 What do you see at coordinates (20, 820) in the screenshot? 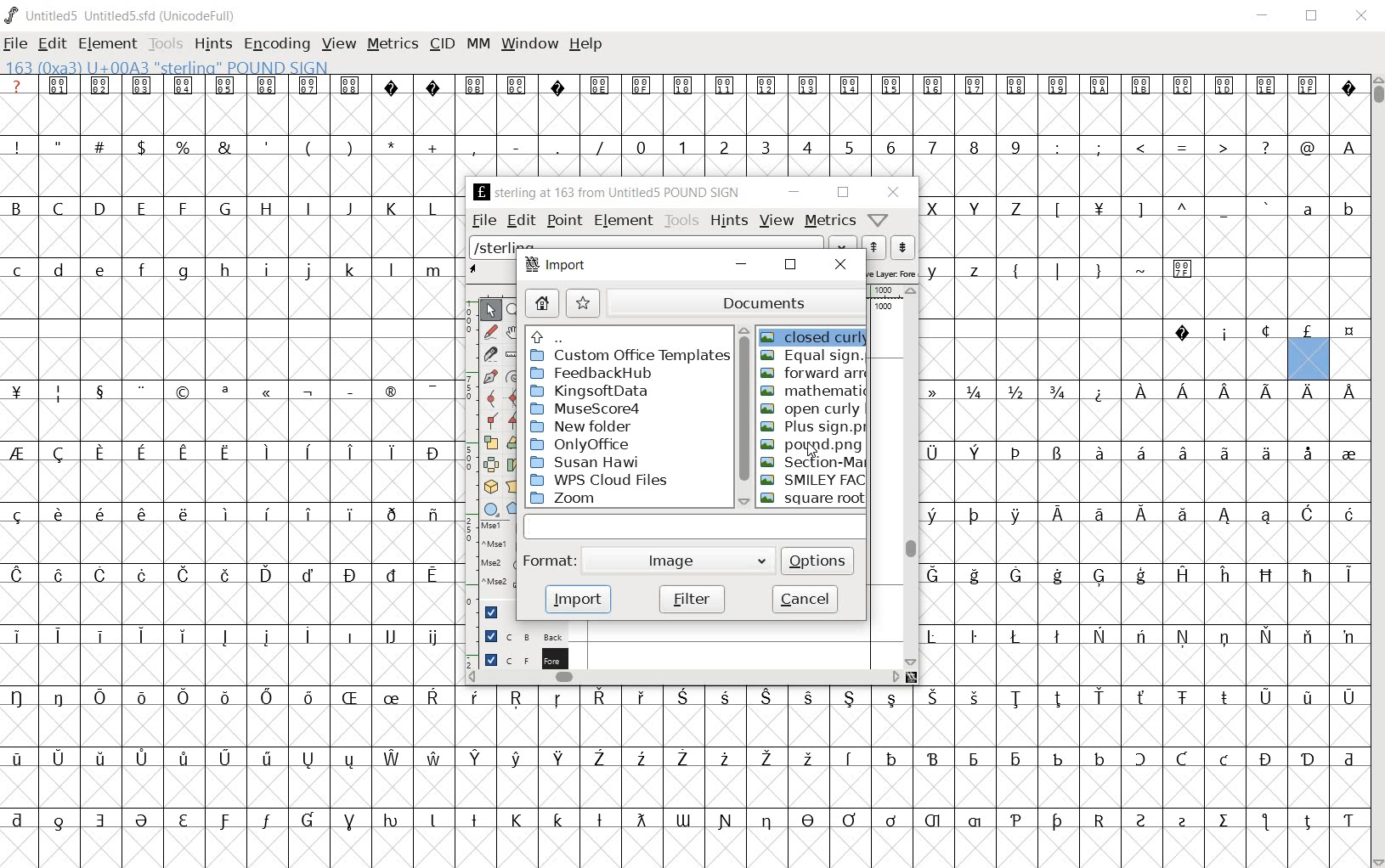
I see `Symbol` at bounding box center [20, 820].